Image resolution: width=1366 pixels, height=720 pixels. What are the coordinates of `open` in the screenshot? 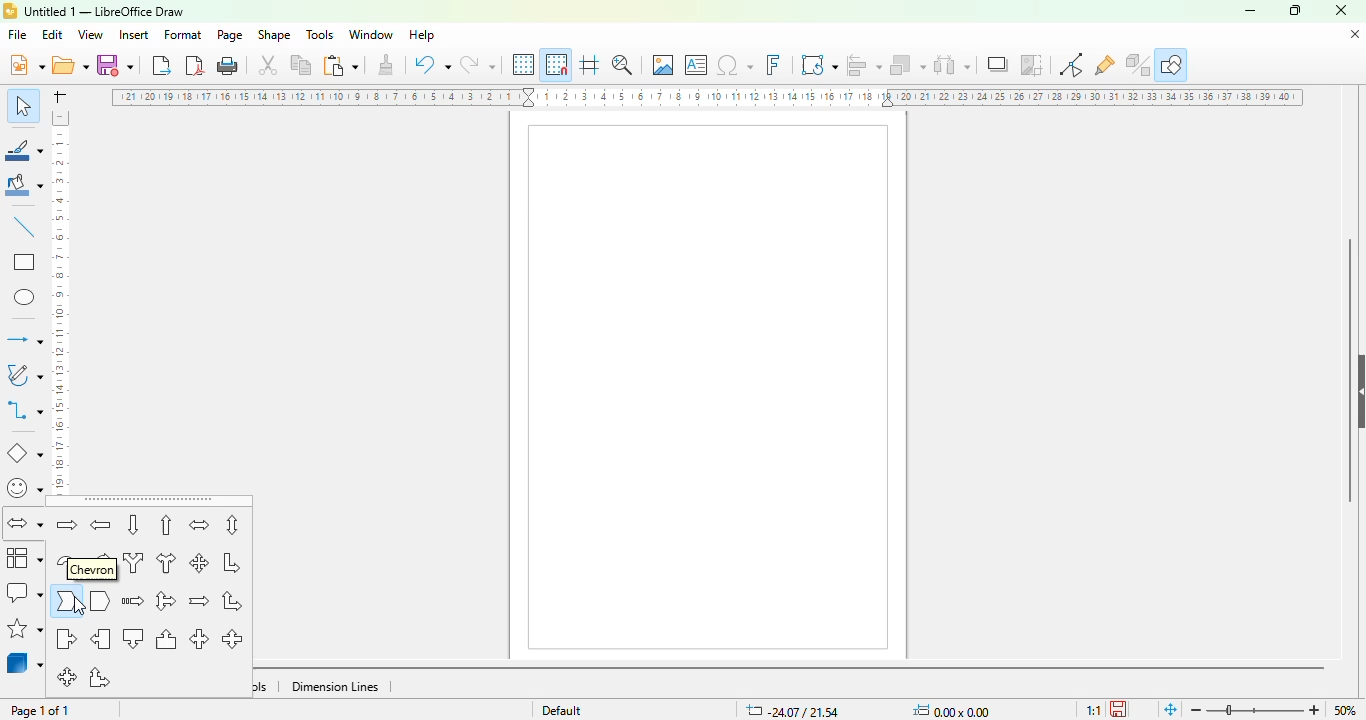 It's located at (70, 64).